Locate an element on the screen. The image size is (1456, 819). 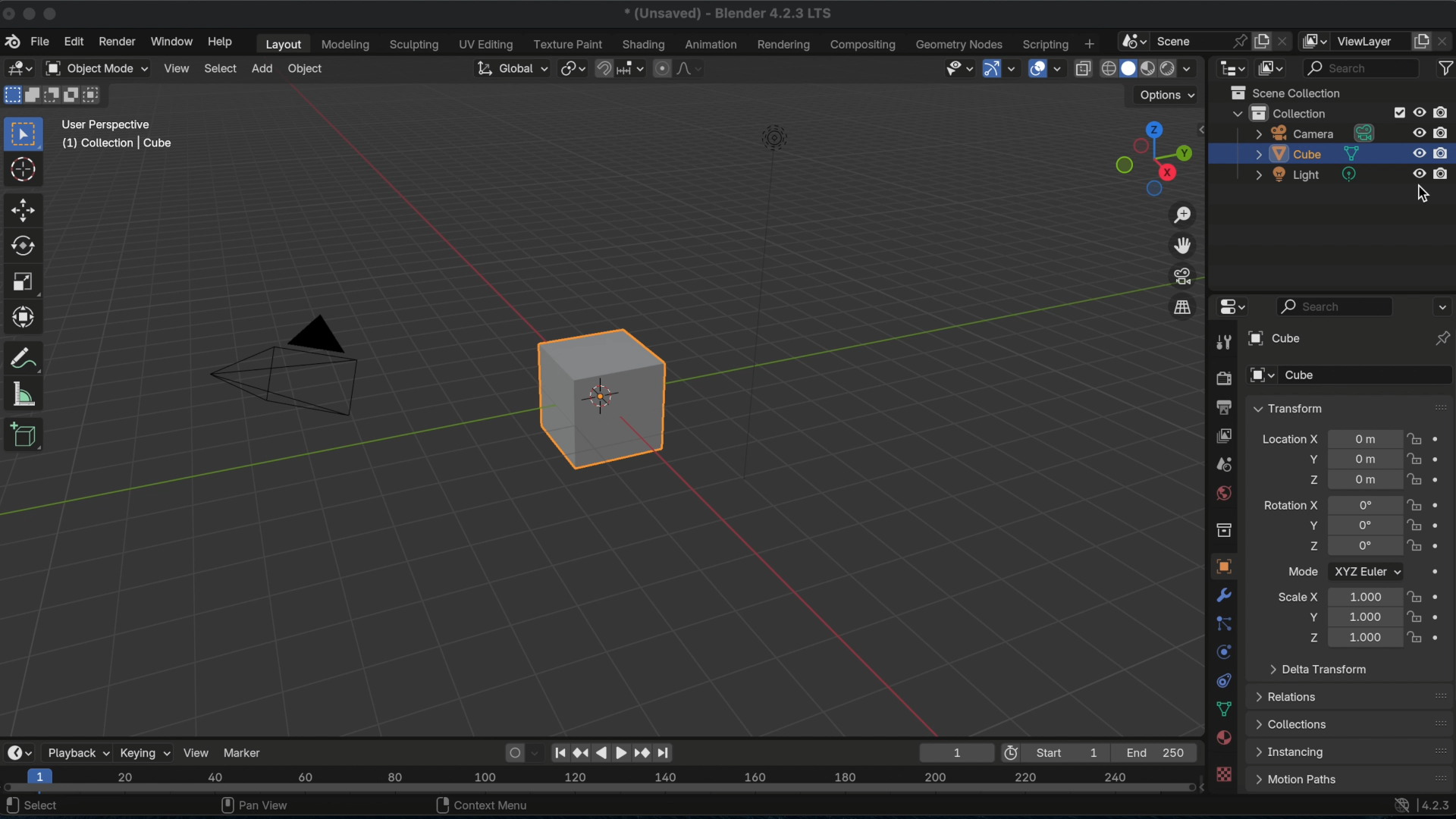
toggle pin ID is located at coordinates (1437, 338).